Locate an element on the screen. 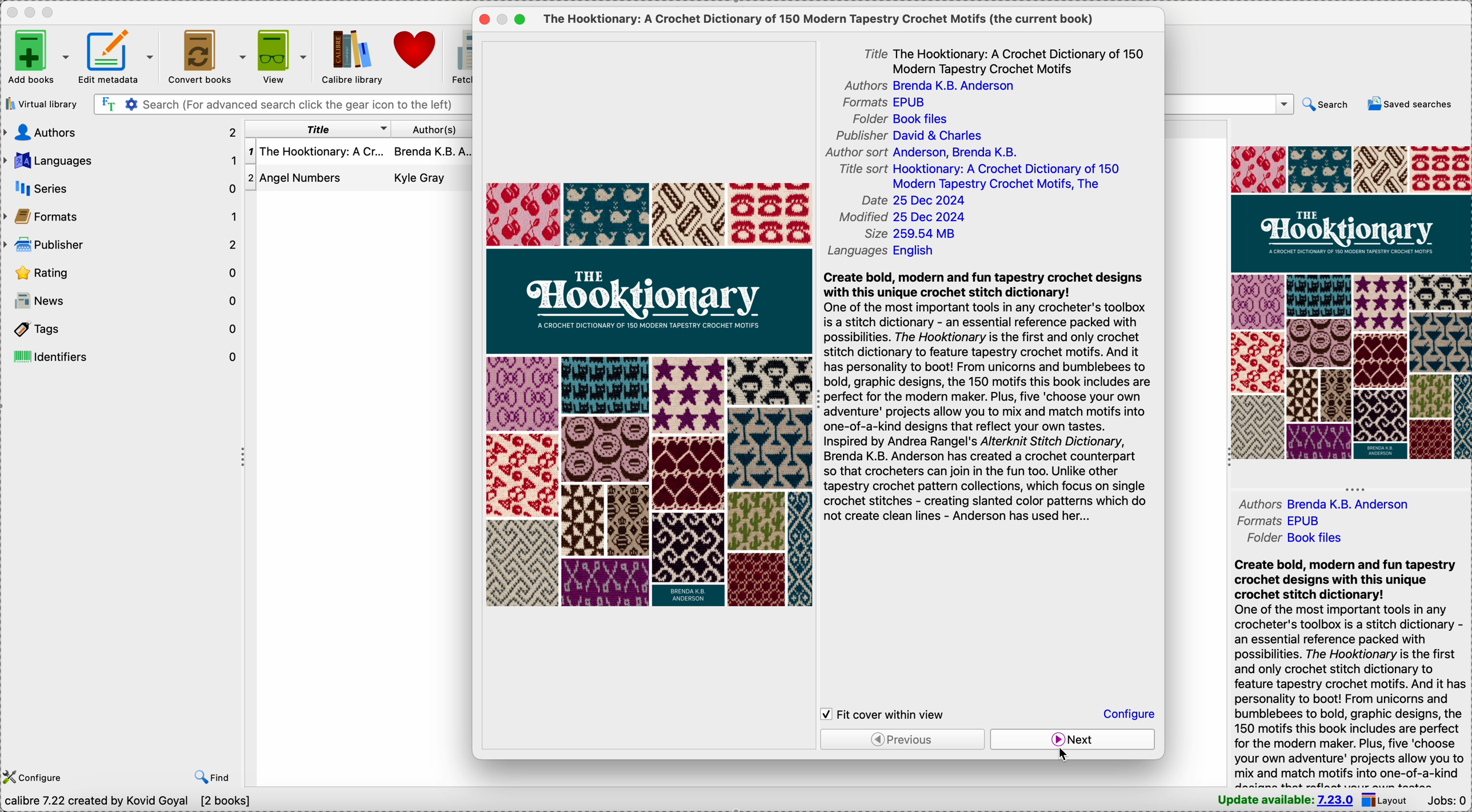 This screenshot has width=1472, height=812. tags is located at coordinates (122, 326).